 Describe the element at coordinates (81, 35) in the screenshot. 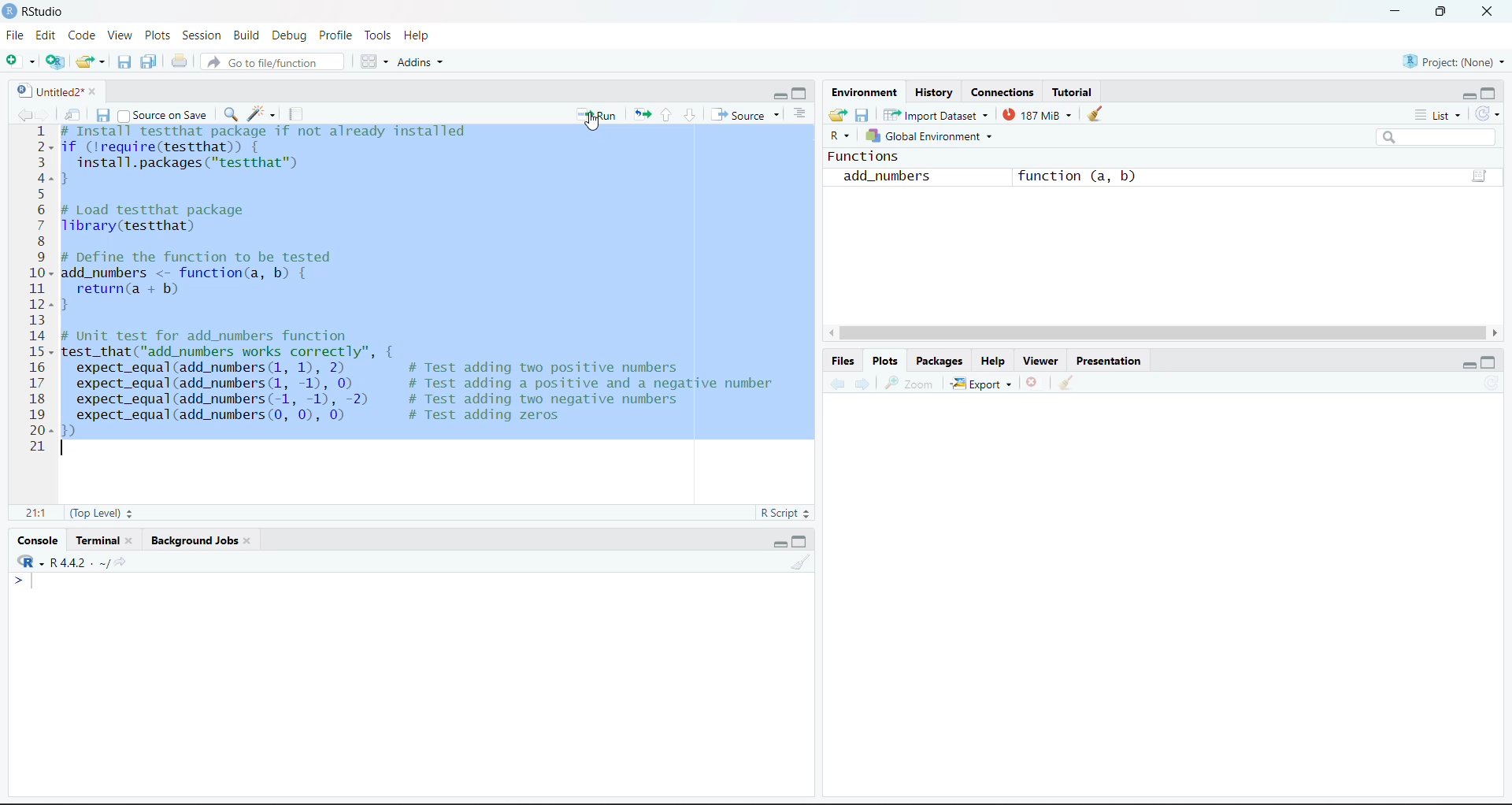

I see `Code` at that location.